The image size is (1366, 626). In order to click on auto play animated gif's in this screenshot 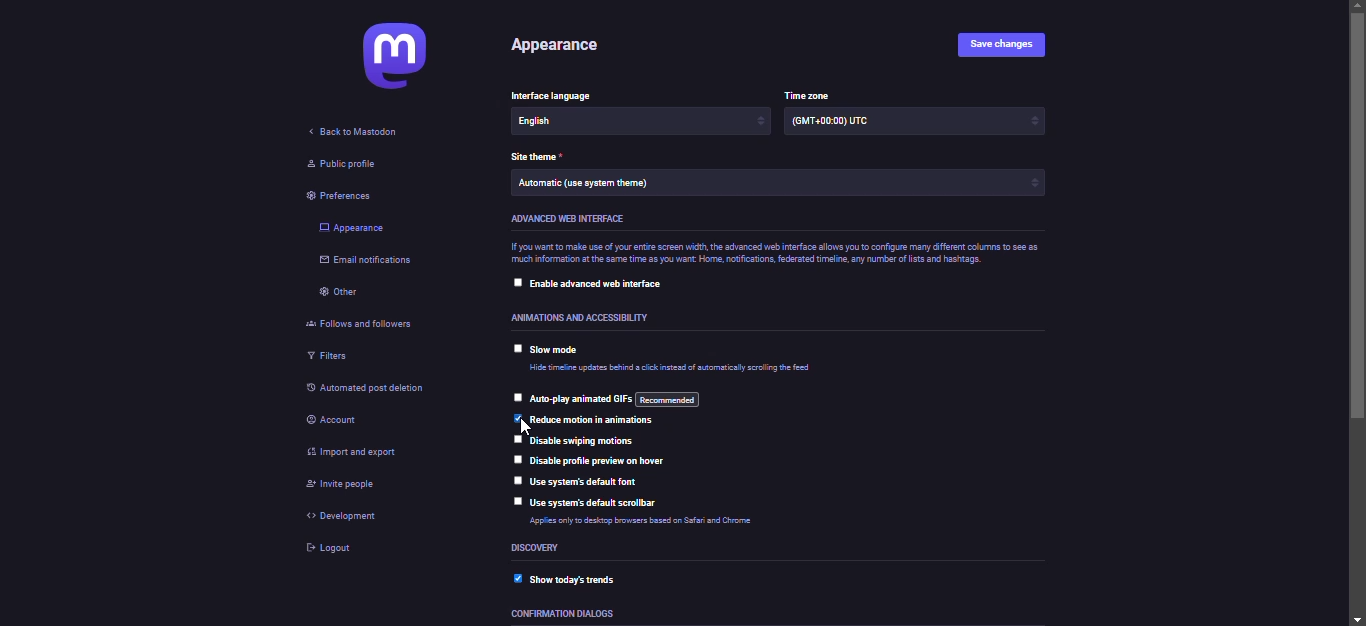, I will do `click(615, 399)`.